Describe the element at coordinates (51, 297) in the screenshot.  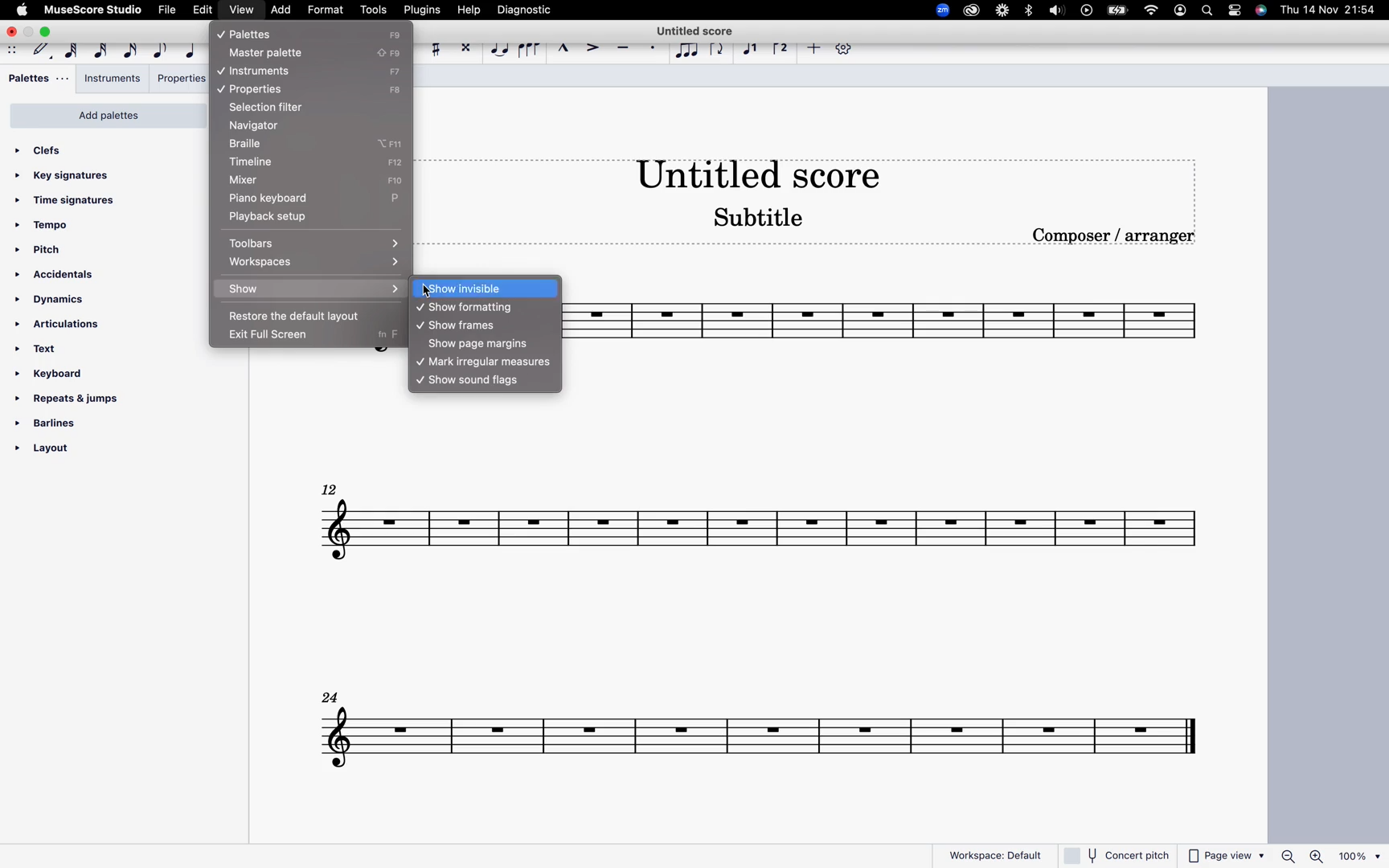
I see `dynamics` at that location.